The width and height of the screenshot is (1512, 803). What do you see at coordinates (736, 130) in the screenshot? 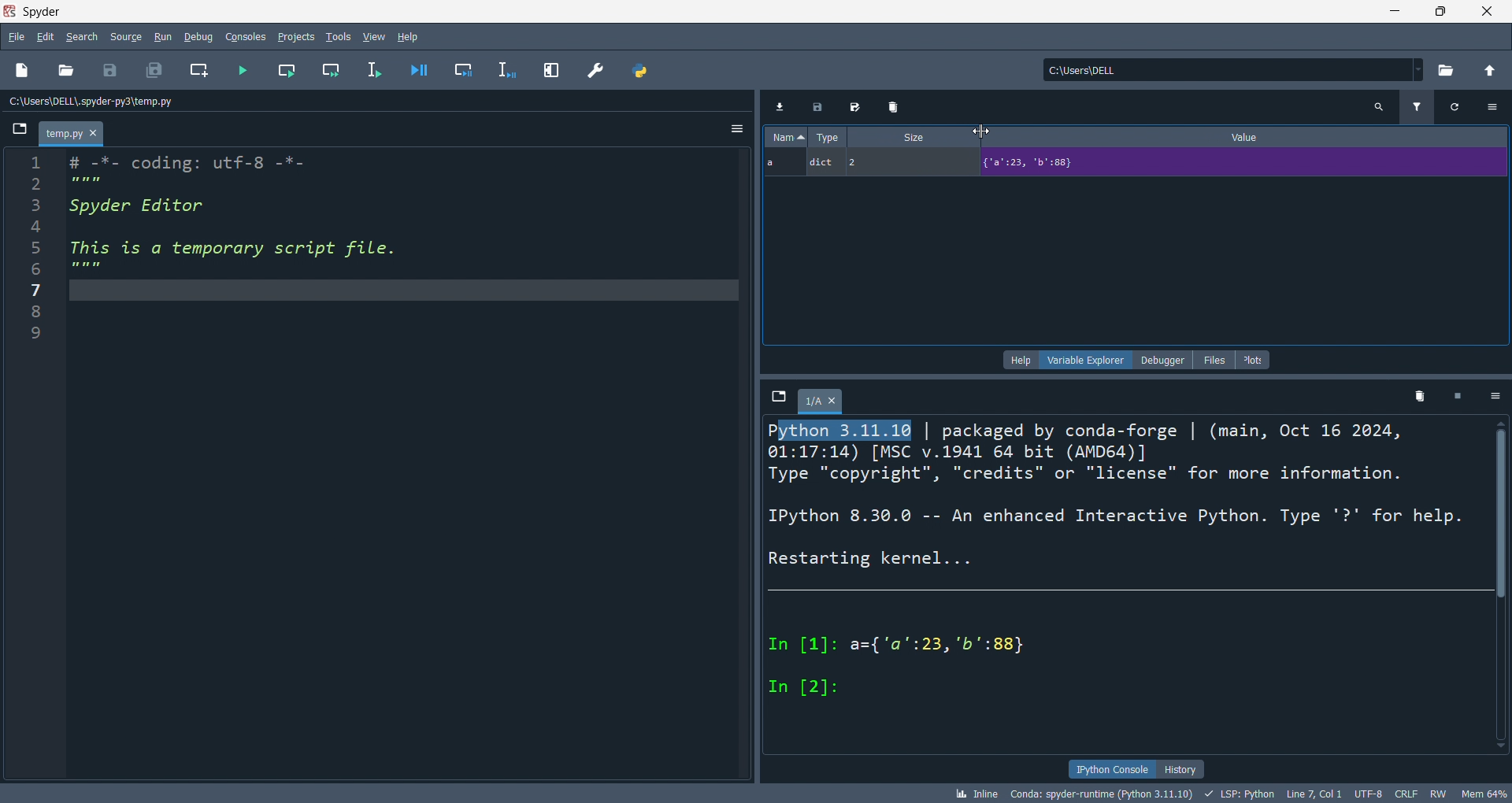
I see `options` at bounding box center [736, 130].